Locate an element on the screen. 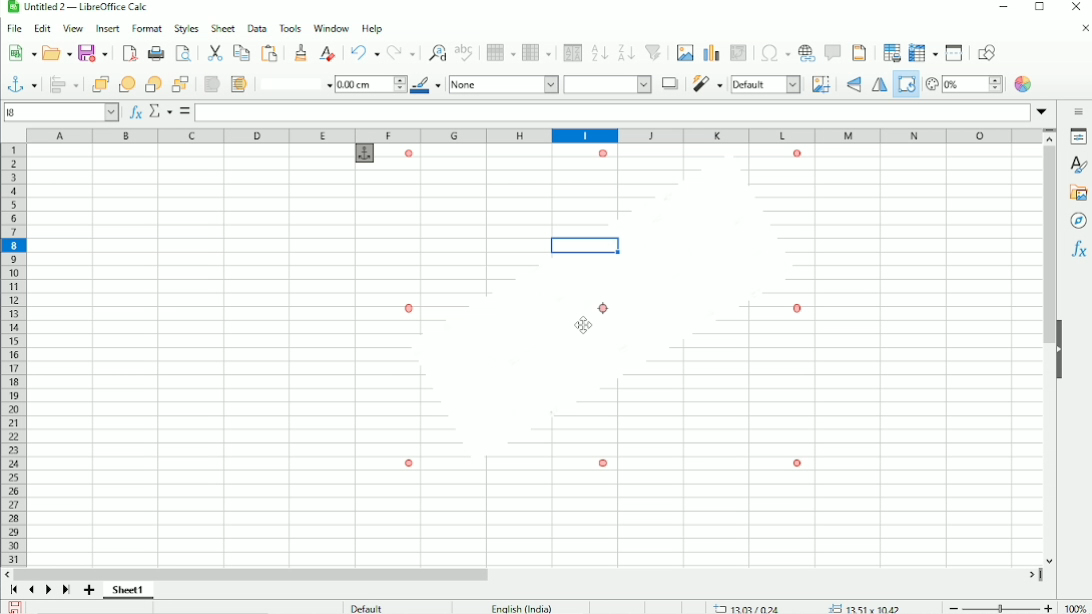  Functions is located at coordinates (1077, 250).